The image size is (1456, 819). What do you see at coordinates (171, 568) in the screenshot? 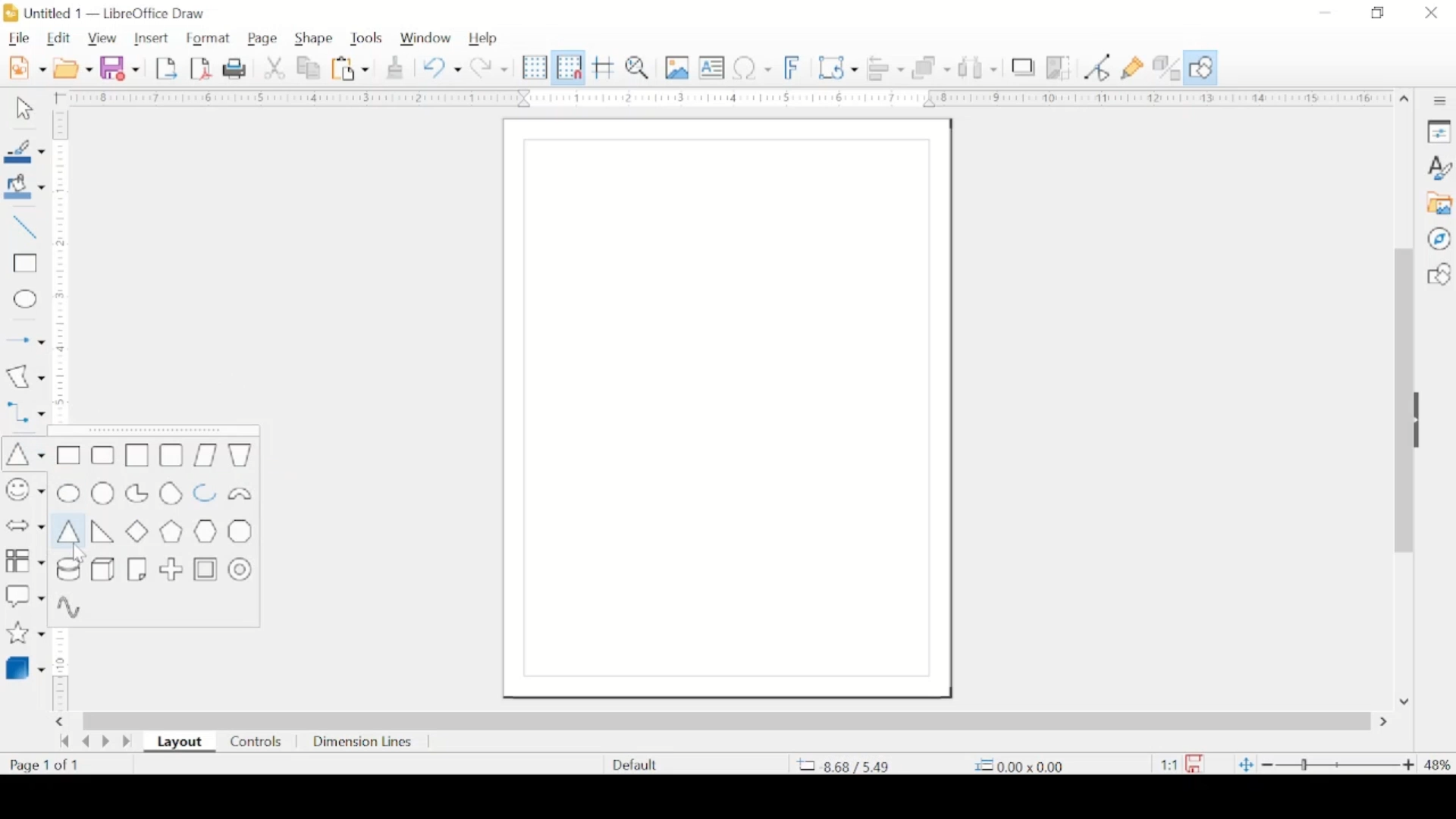
I see `cross` at bounding box center [171, 568].